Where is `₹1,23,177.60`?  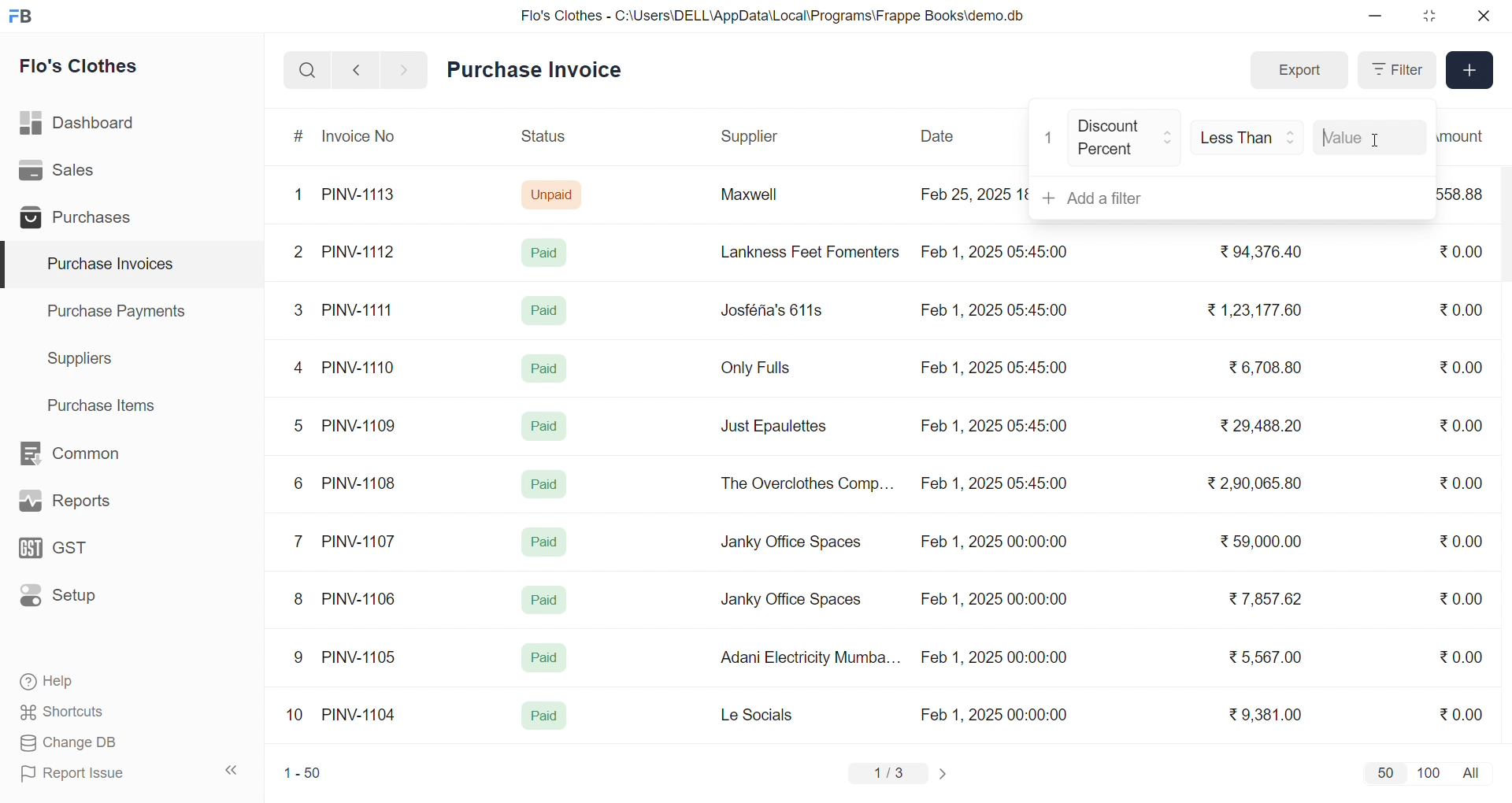
₹1,23,177.60 is located at coordinates (1252, 309).